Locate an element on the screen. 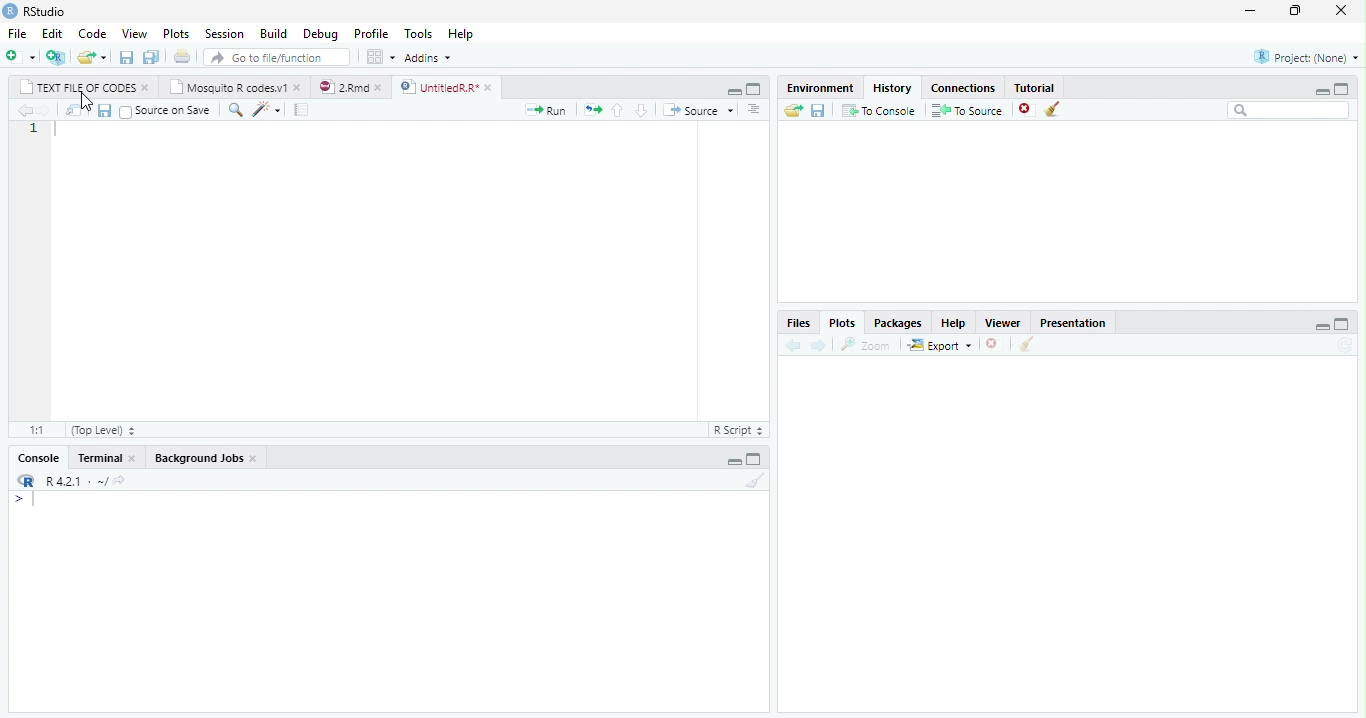  go forward is located at coordinates (42, 111).